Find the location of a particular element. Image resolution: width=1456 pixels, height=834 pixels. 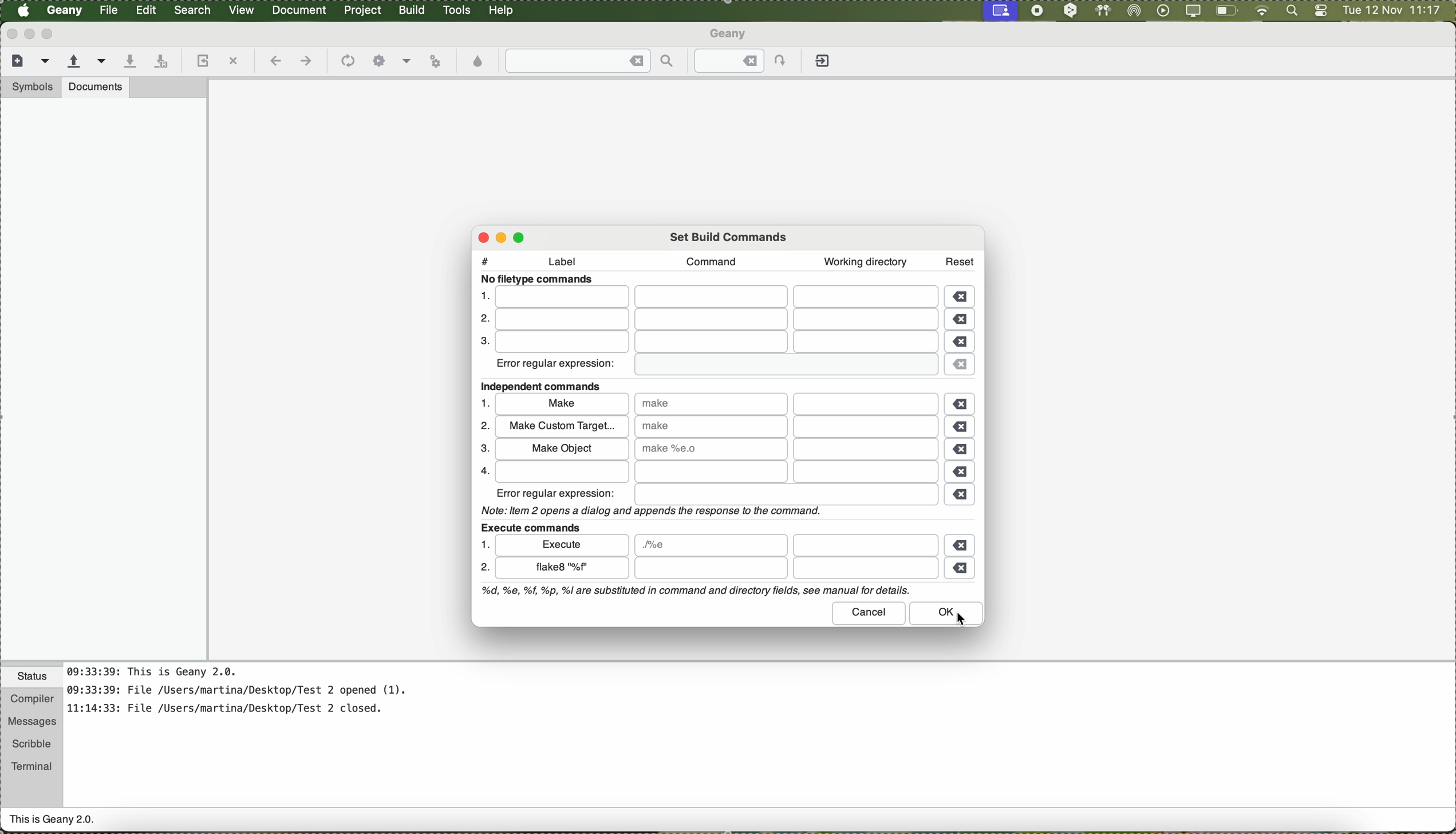

new command is located at coordinates (561, 569).